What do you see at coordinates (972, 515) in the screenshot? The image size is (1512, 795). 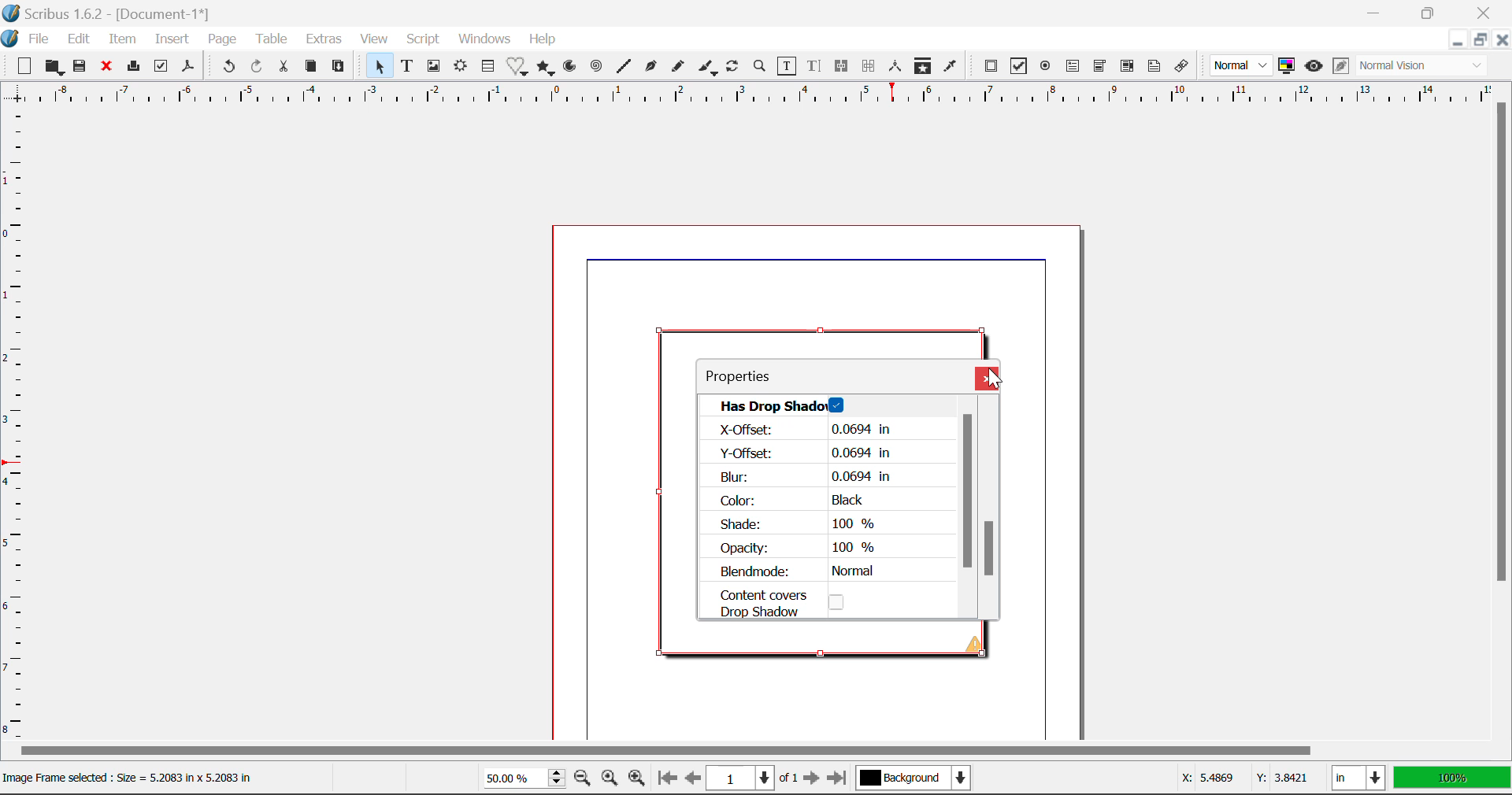 I see `Scroll Bar` at bounding box center [972, 515].